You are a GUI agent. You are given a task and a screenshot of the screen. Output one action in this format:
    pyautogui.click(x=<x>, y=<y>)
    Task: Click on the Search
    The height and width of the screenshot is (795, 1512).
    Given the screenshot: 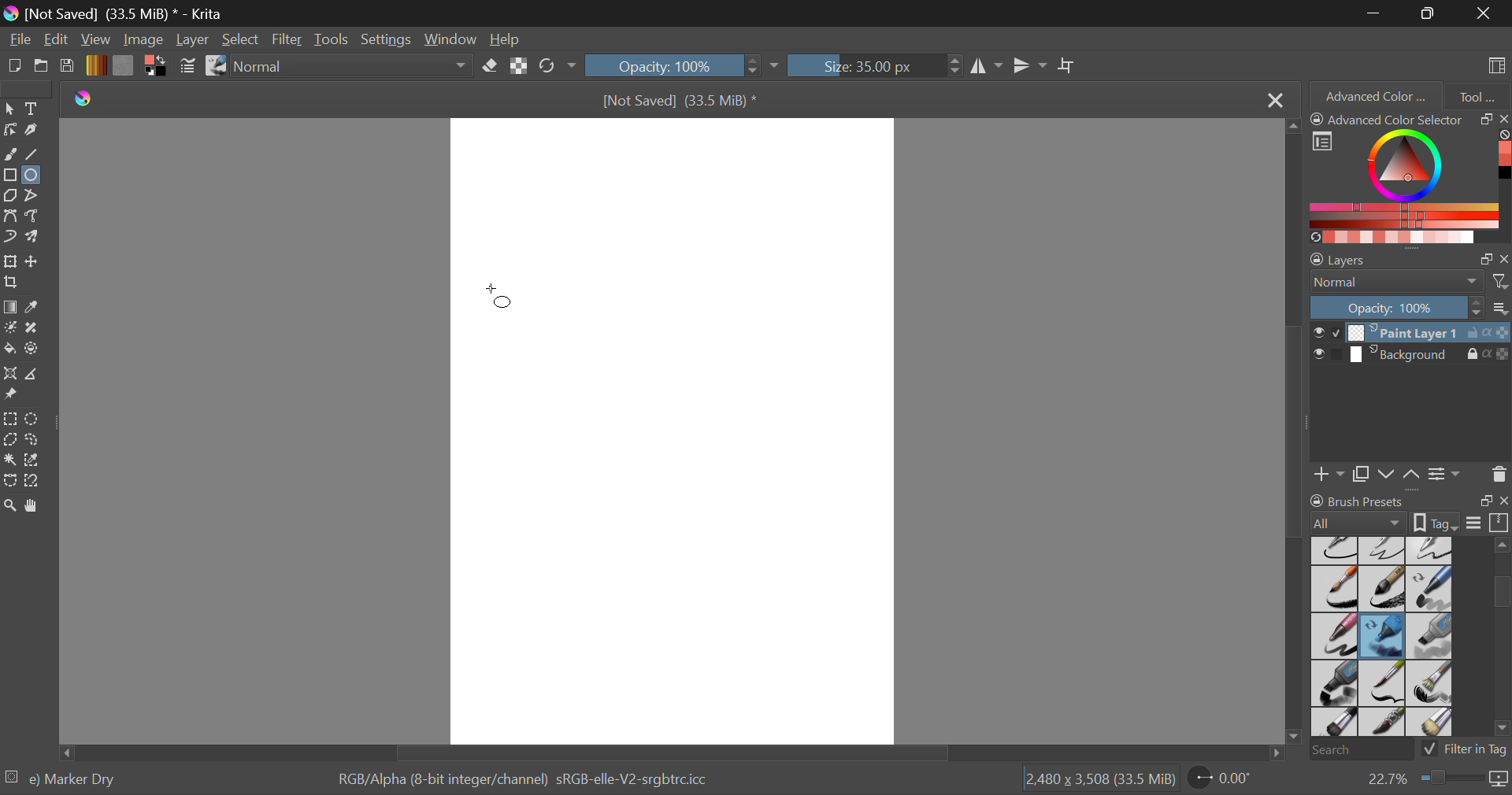 What is the action you would take?
    pyautogui.click(x=1357, y=751)
    